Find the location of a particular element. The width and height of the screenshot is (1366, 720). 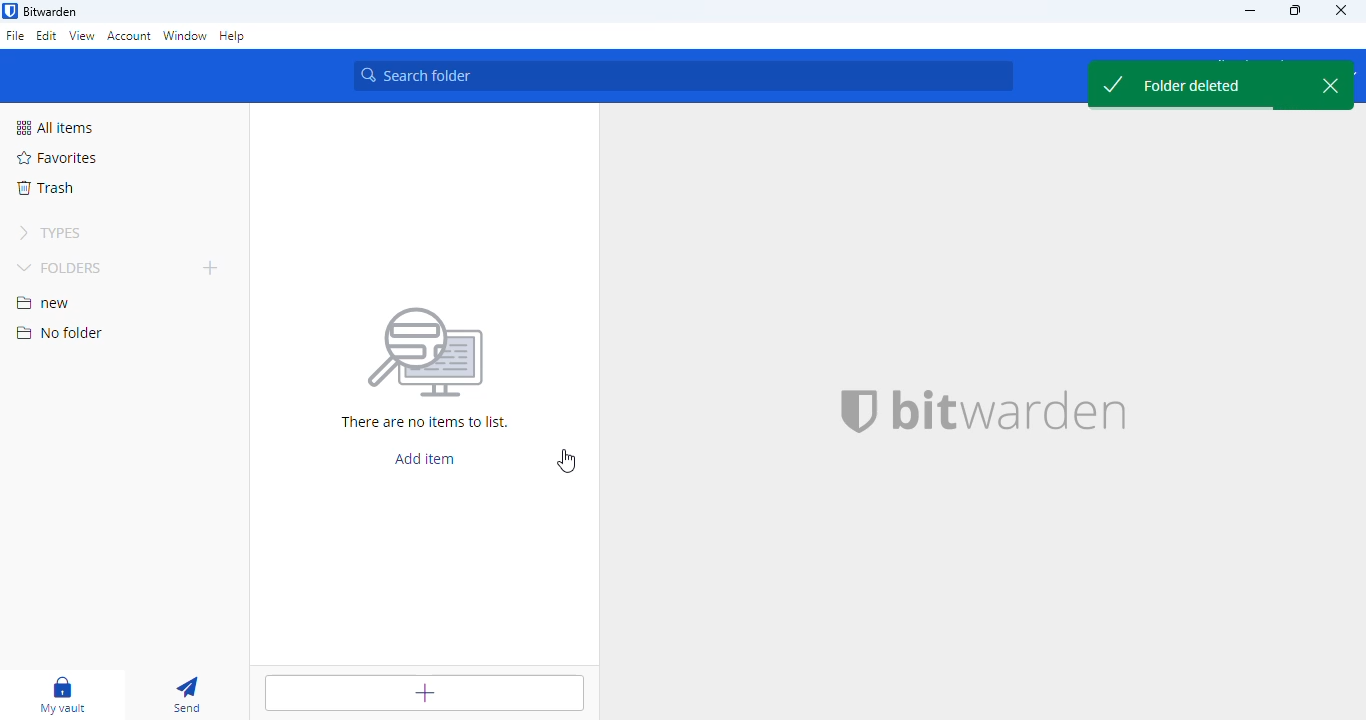

trash is located at coordinates (47, 188).